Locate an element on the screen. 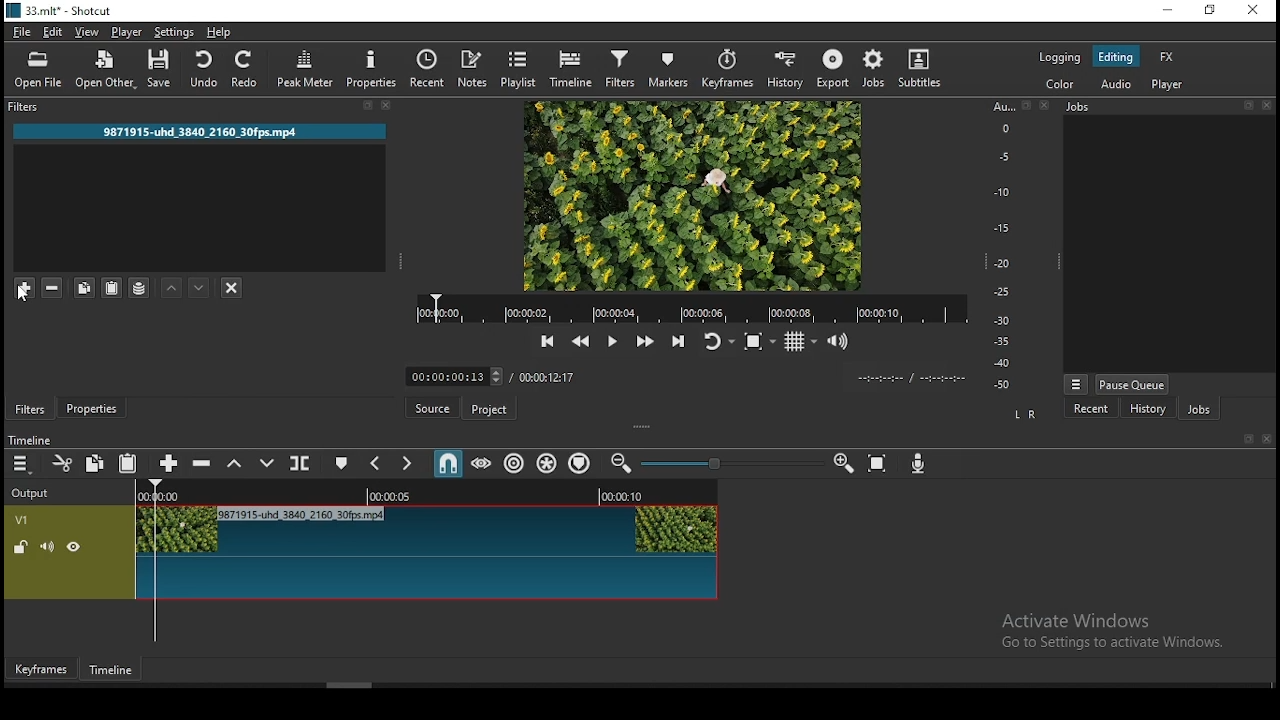 This screenshot has width=1280, height=720. -10 is located at coordinates (1003, 190).